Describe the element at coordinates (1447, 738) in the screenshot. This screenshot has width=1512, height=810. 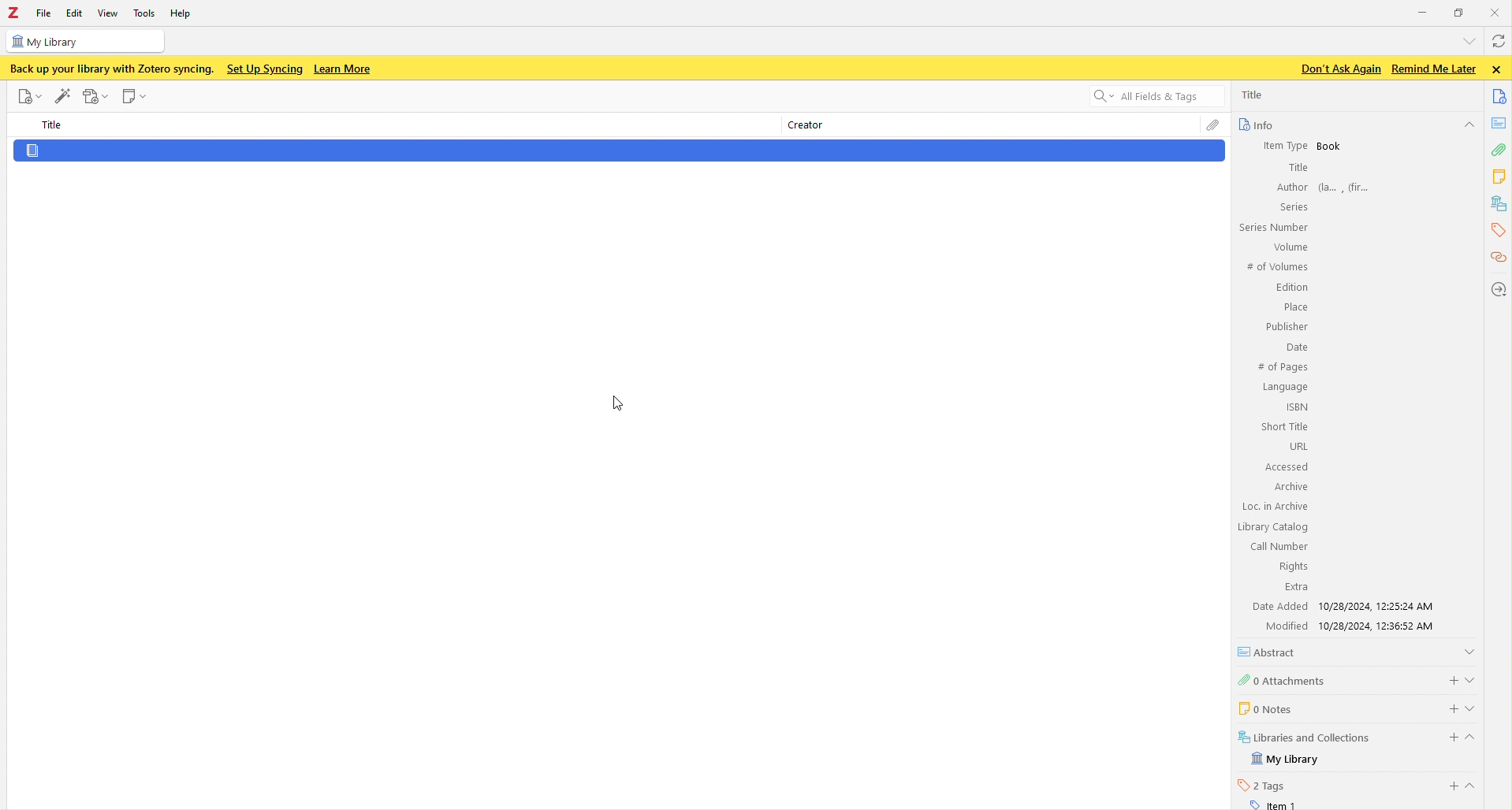
I see `add` at that location.